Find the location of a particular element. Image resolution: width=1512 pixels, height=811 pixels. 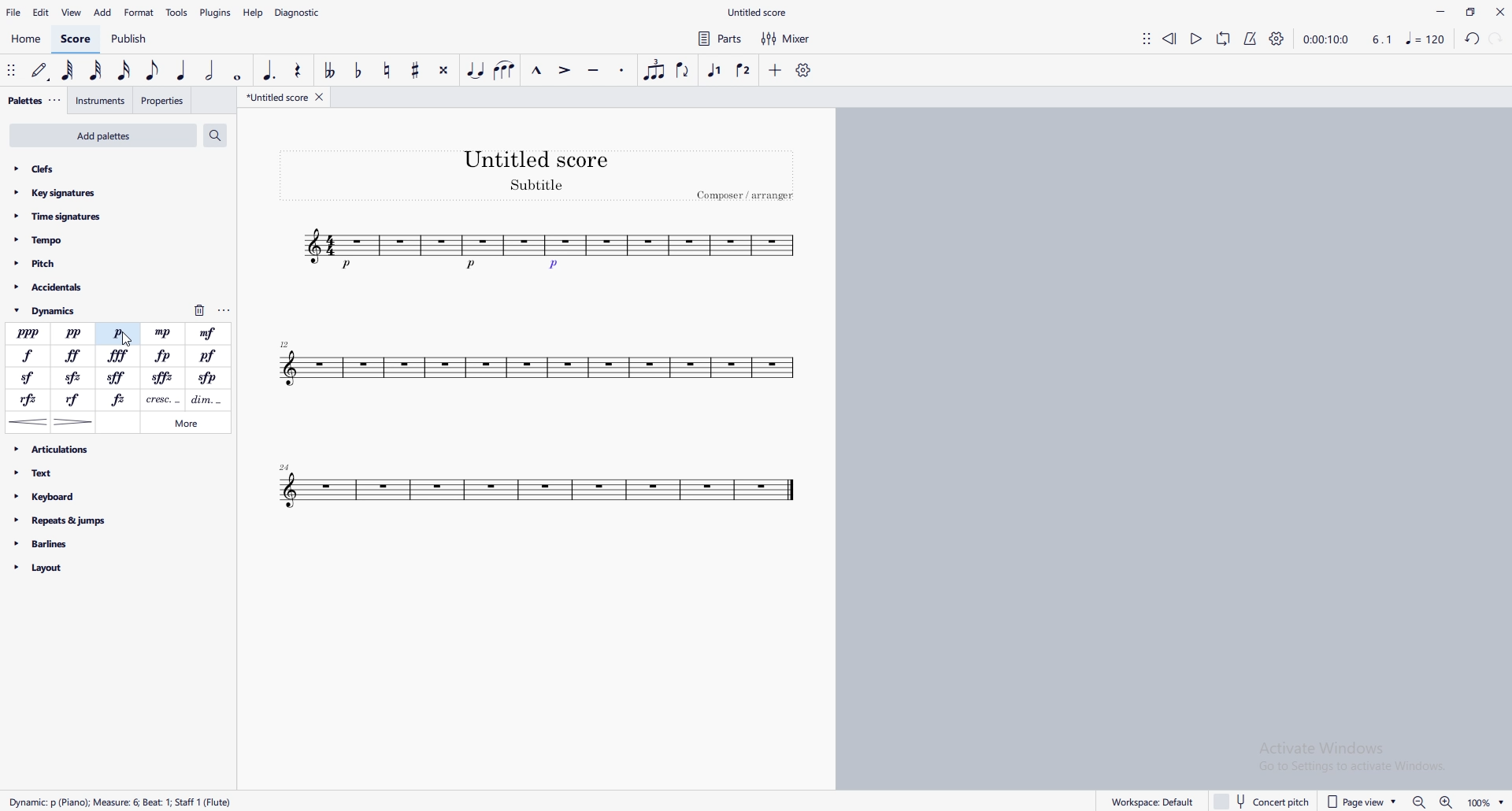

close is located at coordinates (1500, 12).